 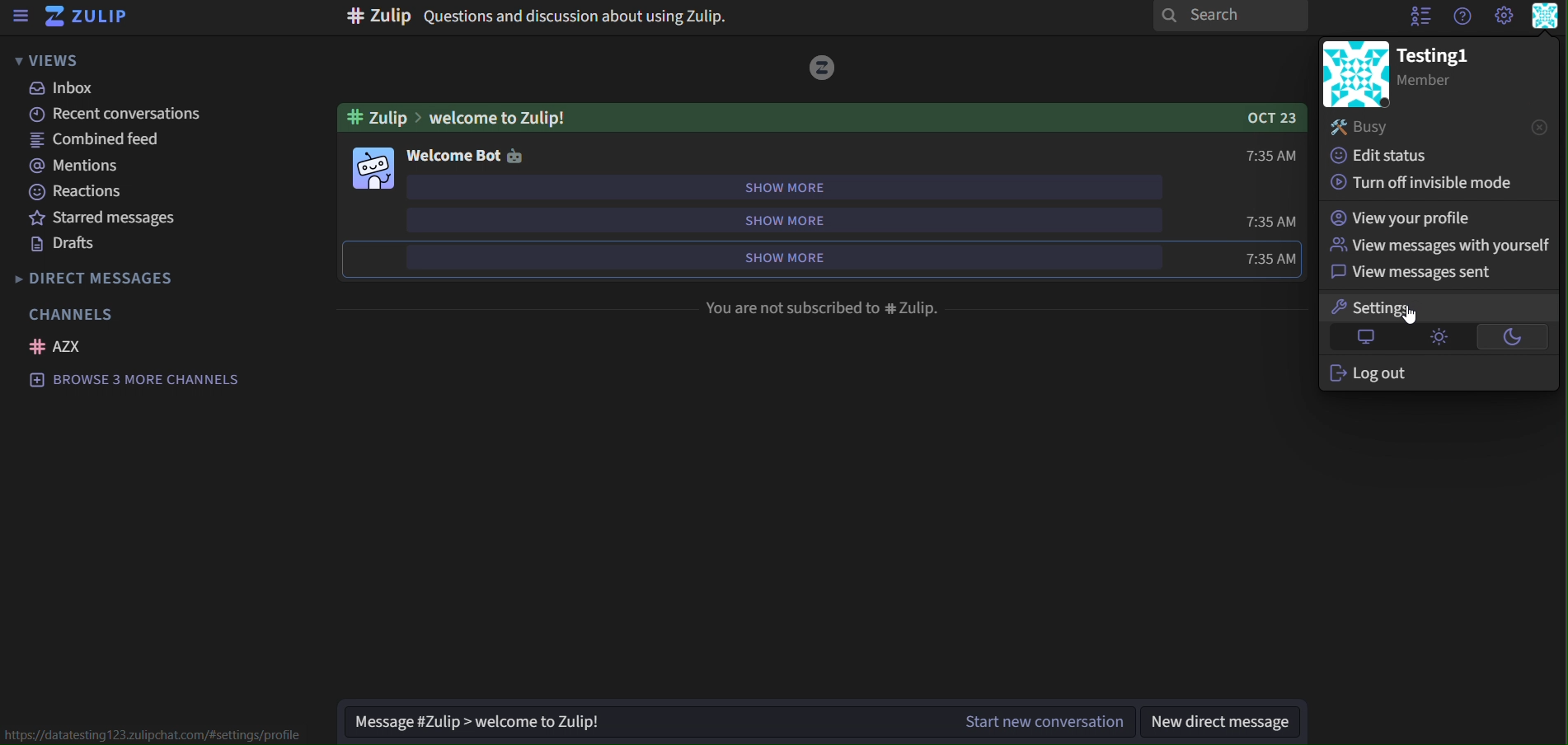 I want to click on icon, so click(x=1357, y=74).